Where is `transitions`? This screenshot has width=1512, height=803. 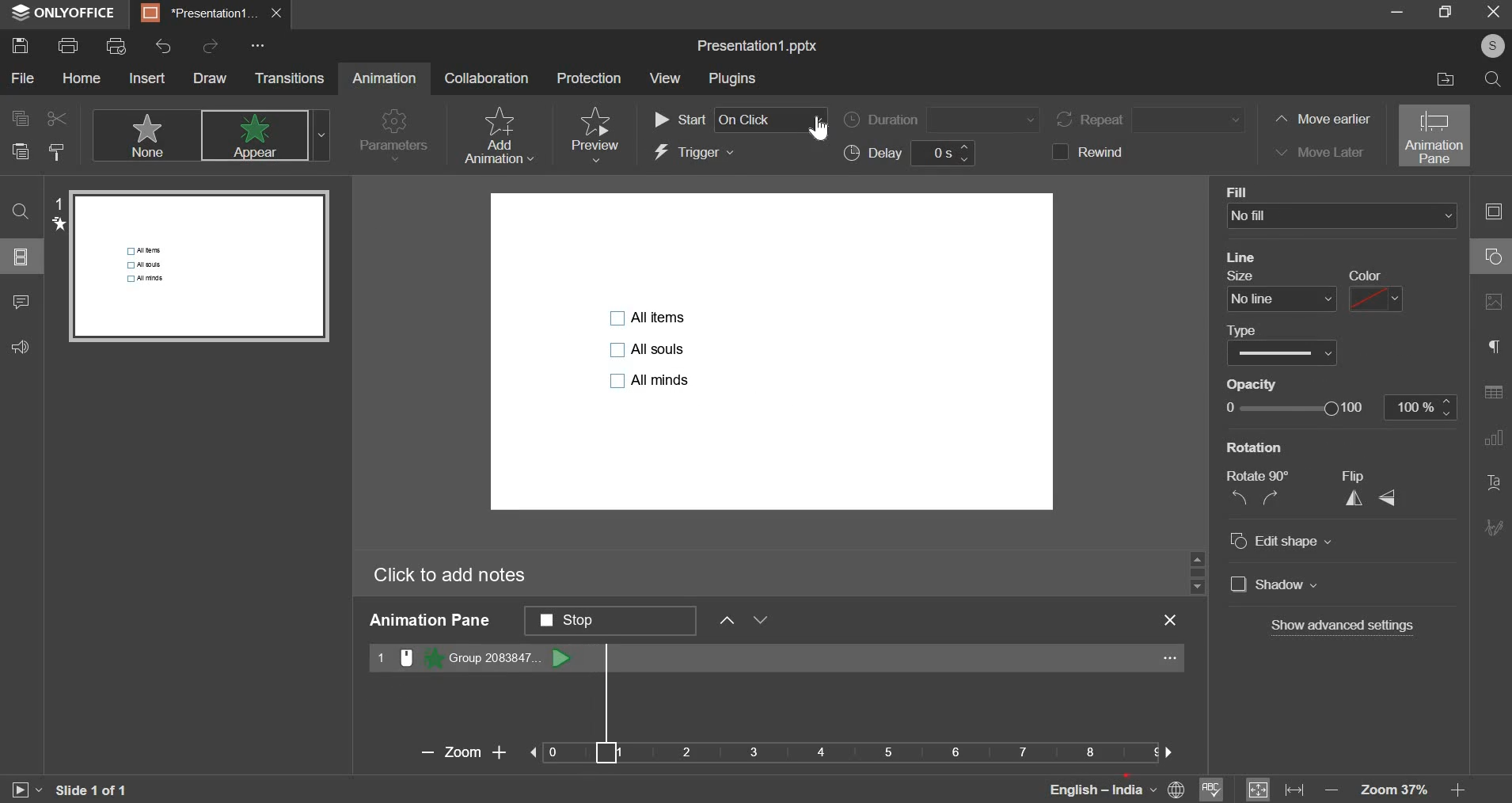
transitions is located at coordinates (289, 78).